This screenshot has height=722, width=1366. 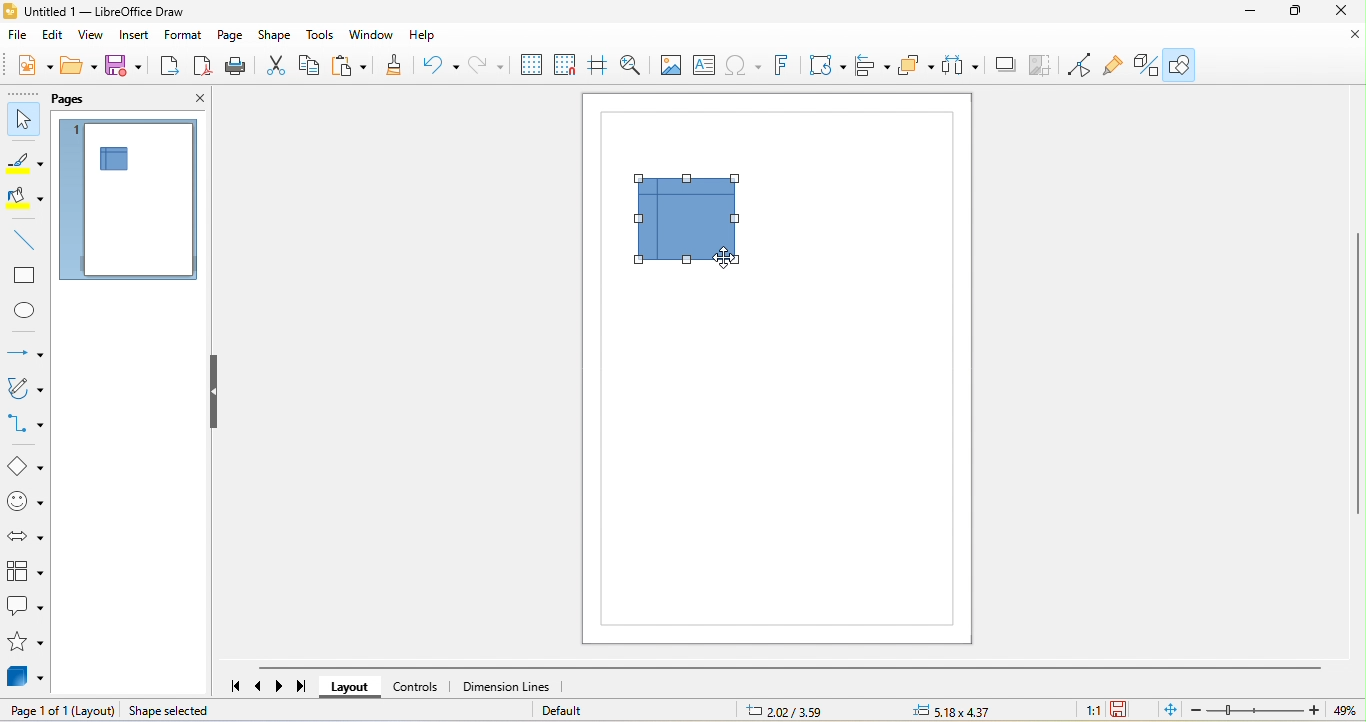 What do you see at coordinates (126, 67) in the screenshot?
I see `save` at bounding box center [126, 67].